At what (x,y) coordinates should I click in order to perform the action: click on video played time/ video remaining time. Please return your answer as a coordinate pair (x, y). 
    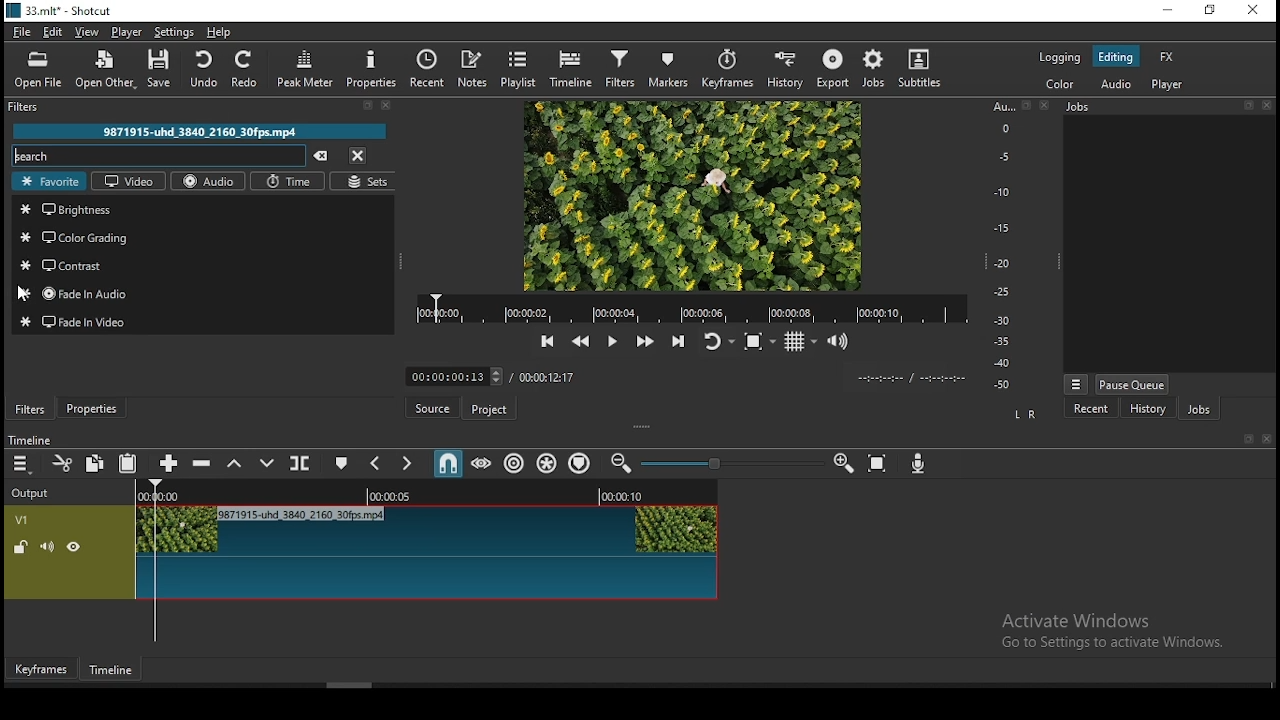
    Looking at the image, I should click on (888, 377).